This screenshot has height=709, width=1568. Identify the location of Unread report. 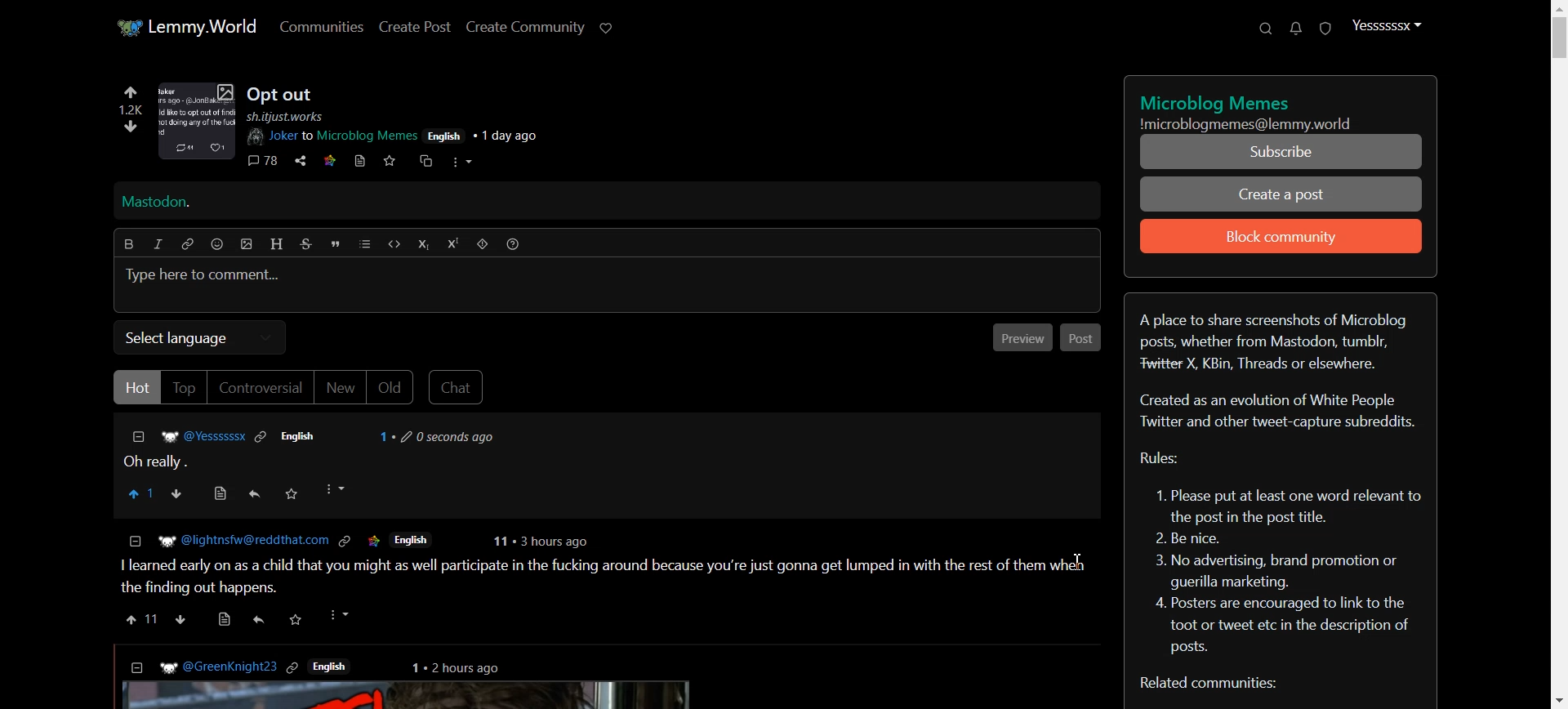
(1325, 29).